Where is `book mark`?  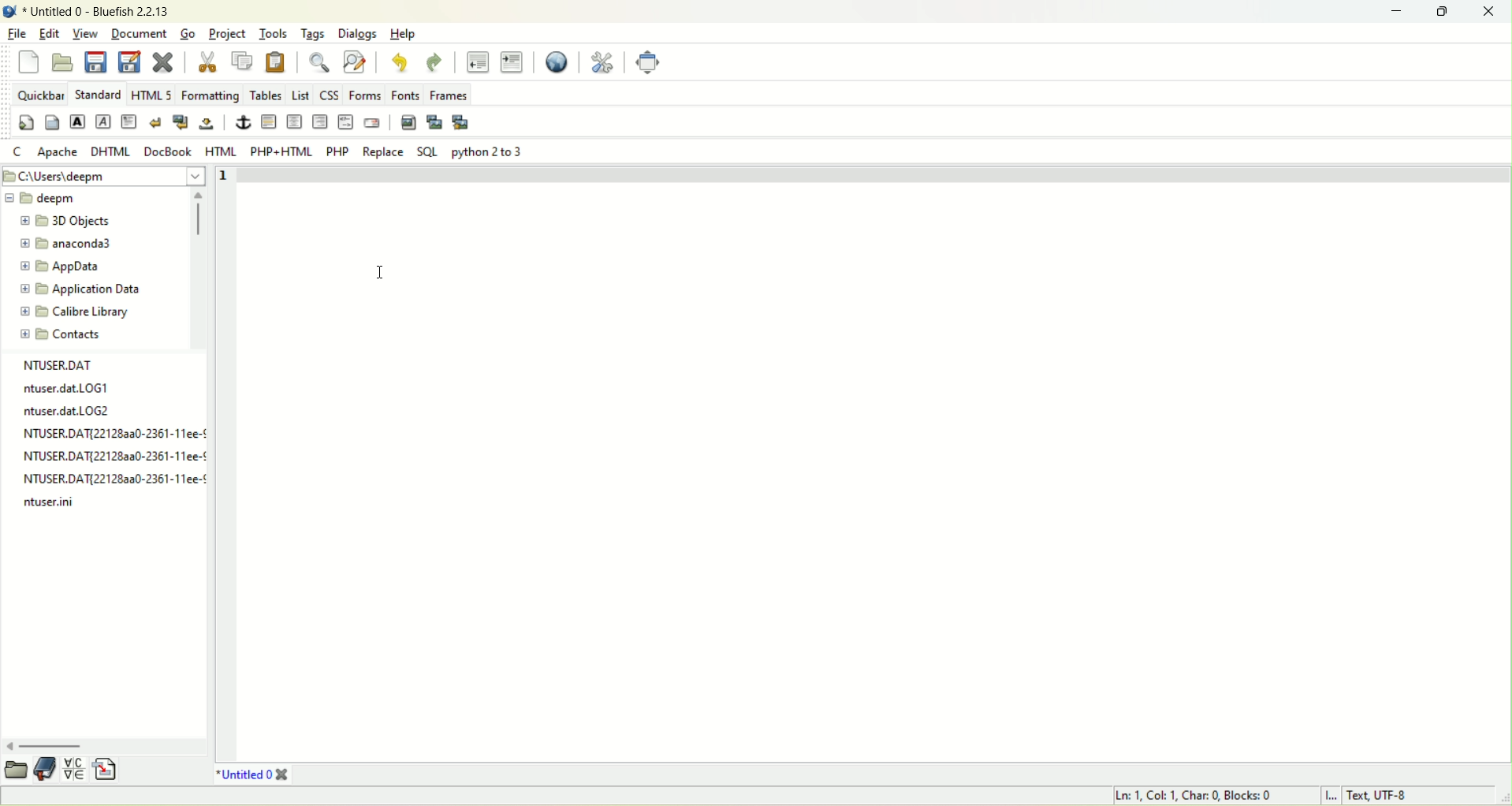 book mark is located at coordinates (47, 769).